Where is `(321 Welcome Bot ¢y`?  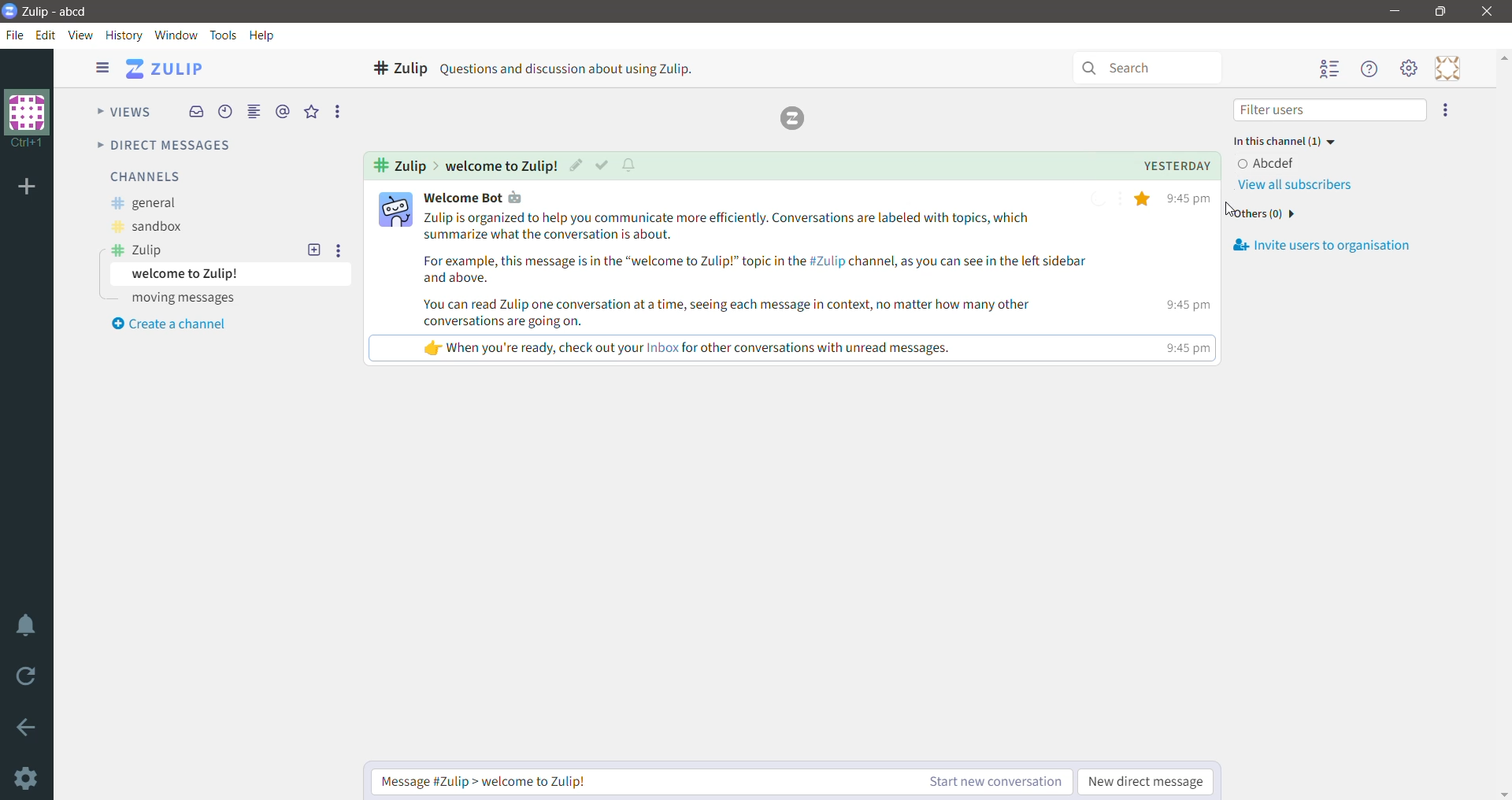
(321 Welcome Bot ¢y is located at coordinates (480, 197).